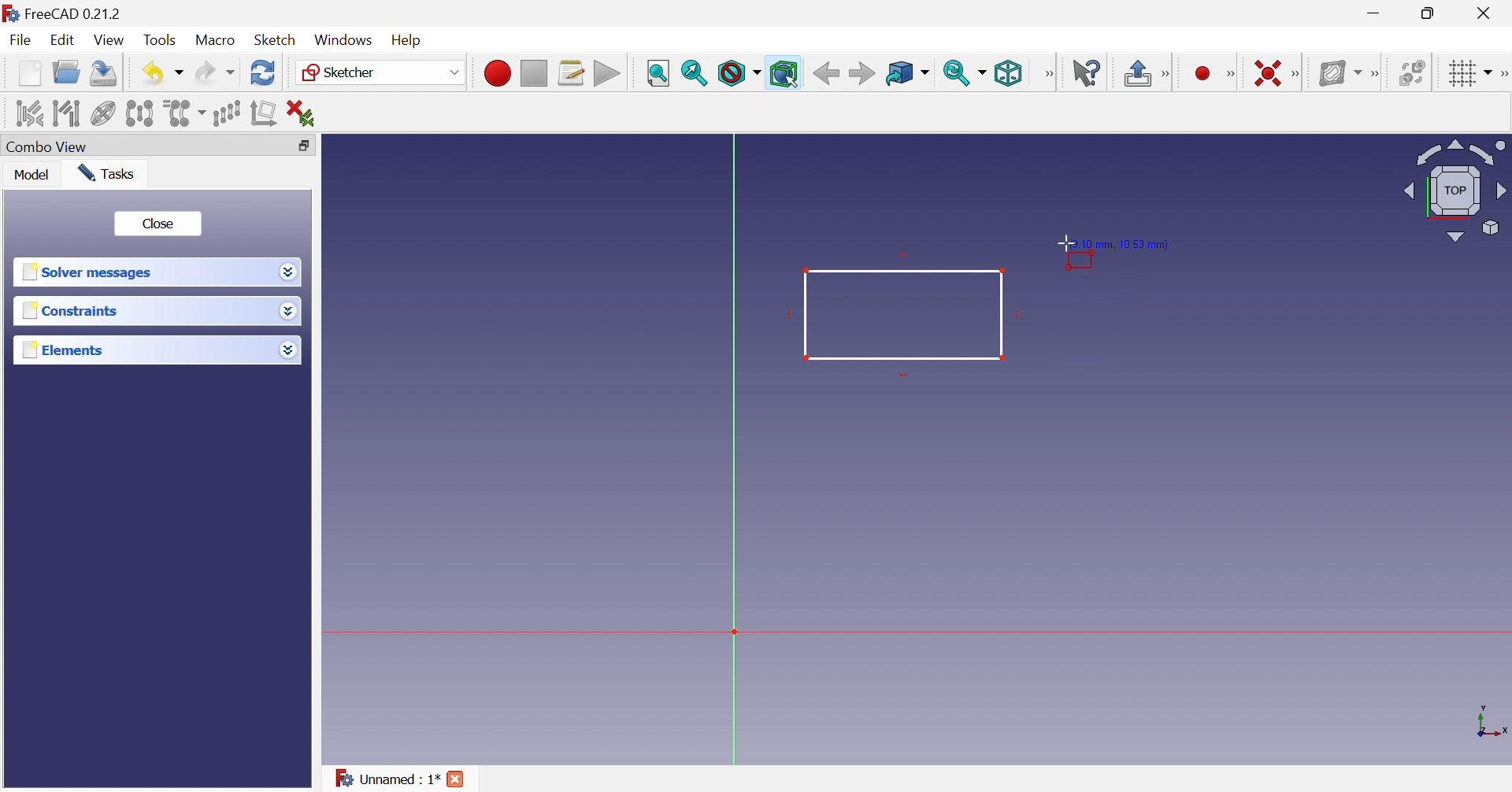 Image resolution: width=1512 pixels, height=792 pixels. What do you see at coordinates (108, 41) in the screenshot?
I see `View` at bounding box center [108, 41].